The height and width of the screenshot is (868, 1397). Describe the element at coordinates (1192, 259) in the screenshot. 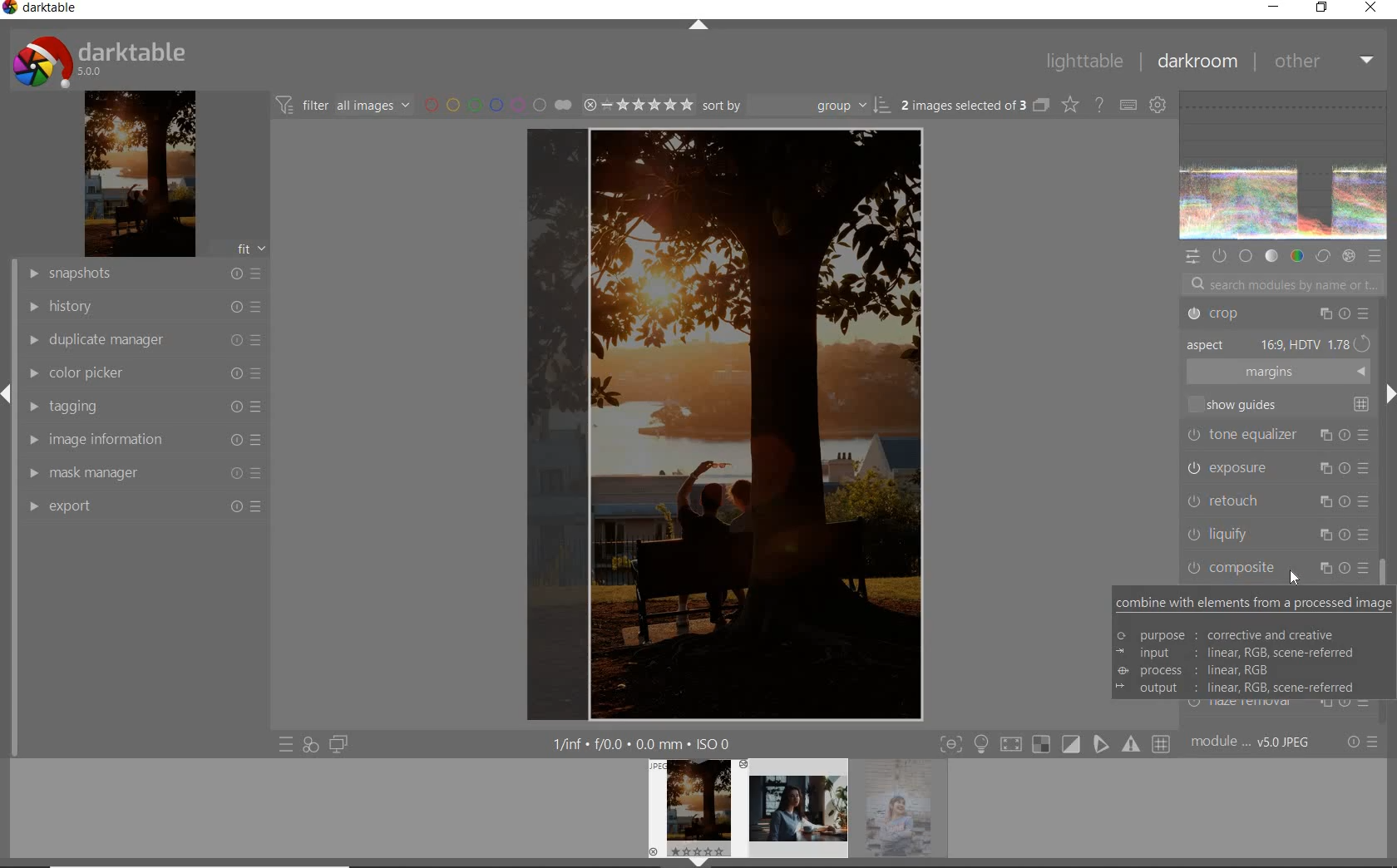

I see `quick access panel` at that location.